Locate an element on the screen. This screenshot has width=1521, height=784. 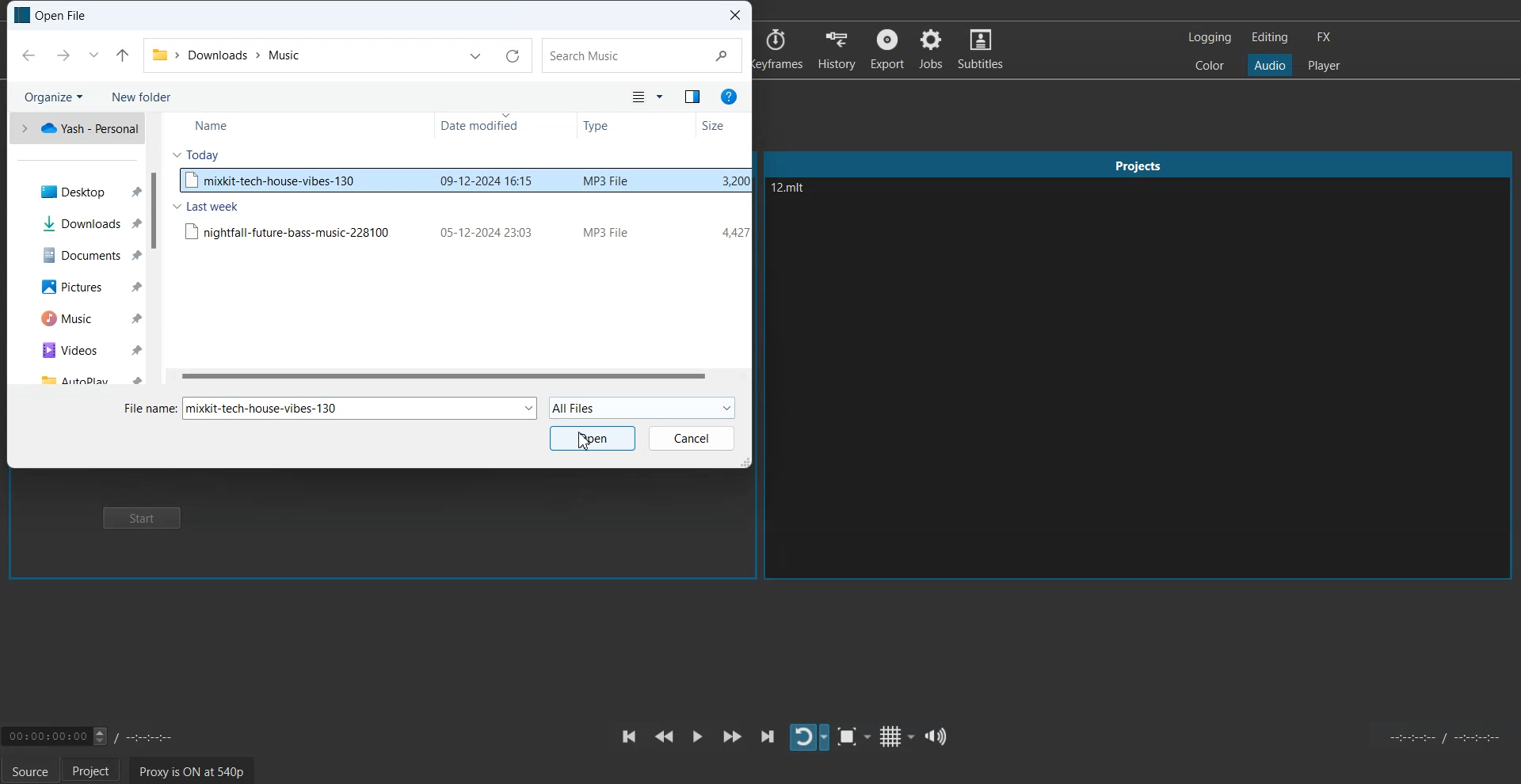
New Folder is located at coordinates (144, 97).